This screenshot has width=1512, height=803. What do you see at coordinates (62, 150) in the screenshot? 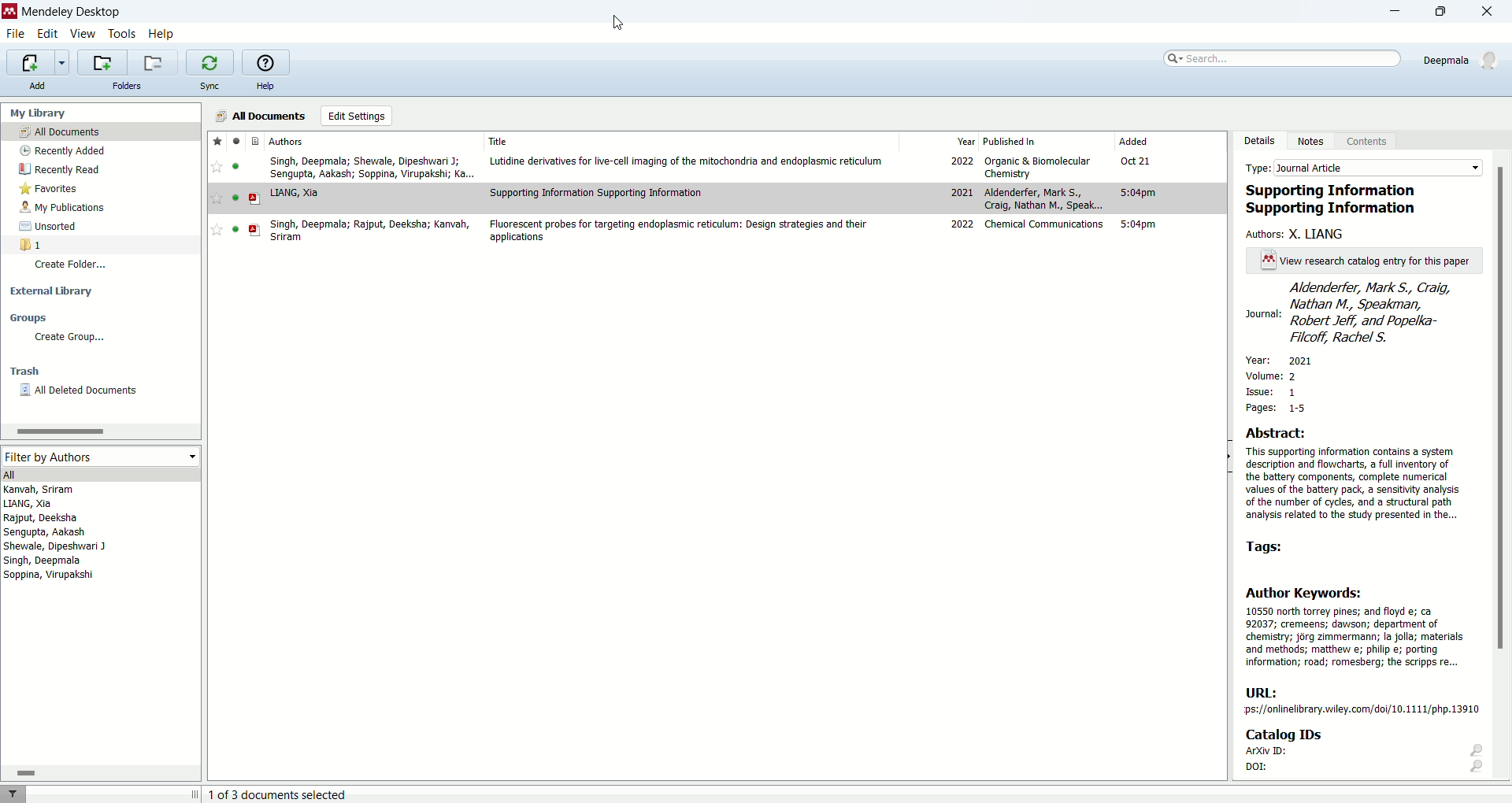
I see `recently added` at bounding box center [62, 150].